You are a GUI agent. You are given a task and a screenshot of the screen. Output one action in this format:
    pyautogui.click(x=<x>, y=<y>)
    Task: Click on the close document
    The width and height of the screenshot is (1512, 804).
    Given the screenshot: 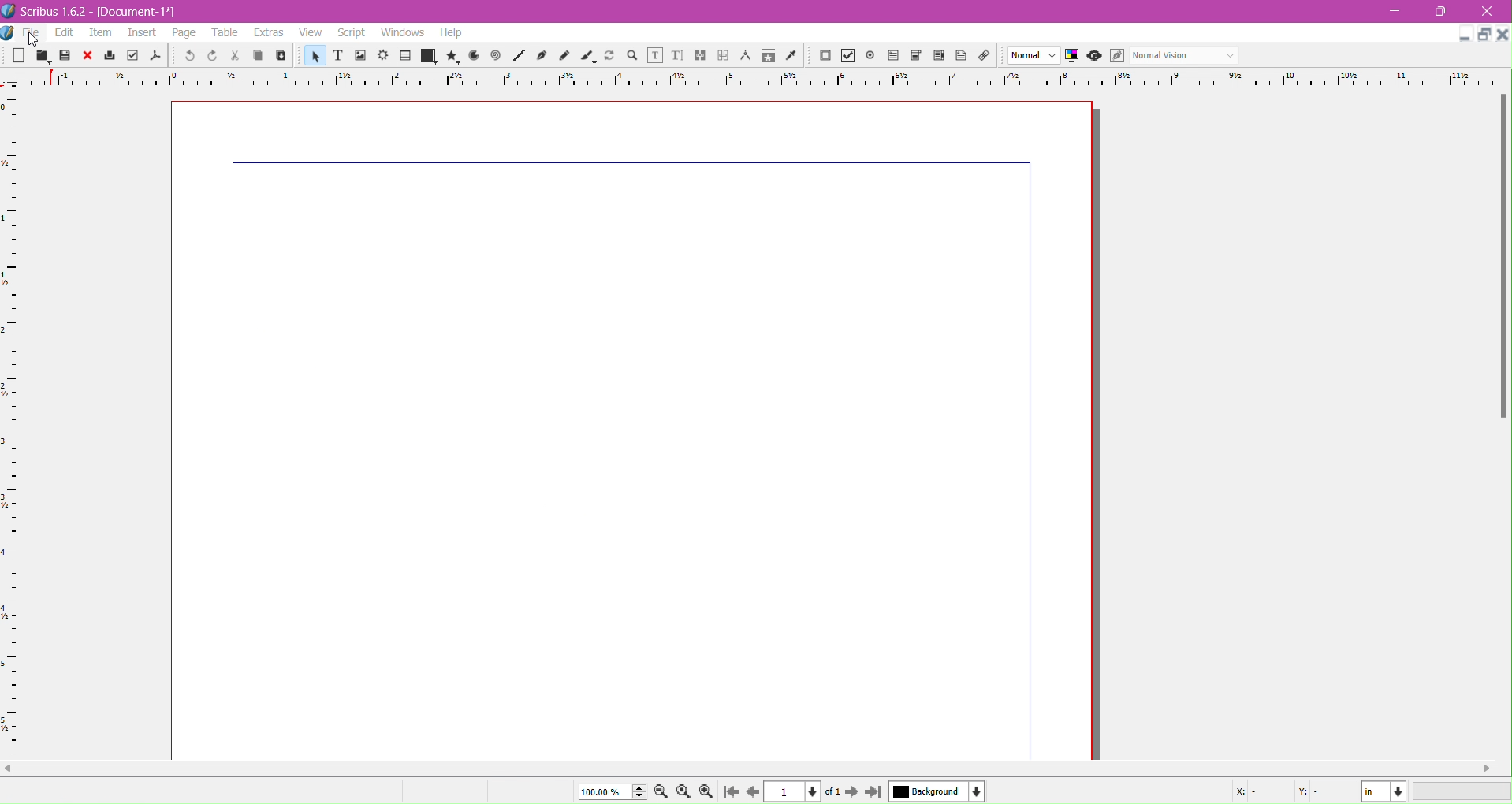 What is the action you would take?
    pyautogui.click(x=1503, y=35)
    